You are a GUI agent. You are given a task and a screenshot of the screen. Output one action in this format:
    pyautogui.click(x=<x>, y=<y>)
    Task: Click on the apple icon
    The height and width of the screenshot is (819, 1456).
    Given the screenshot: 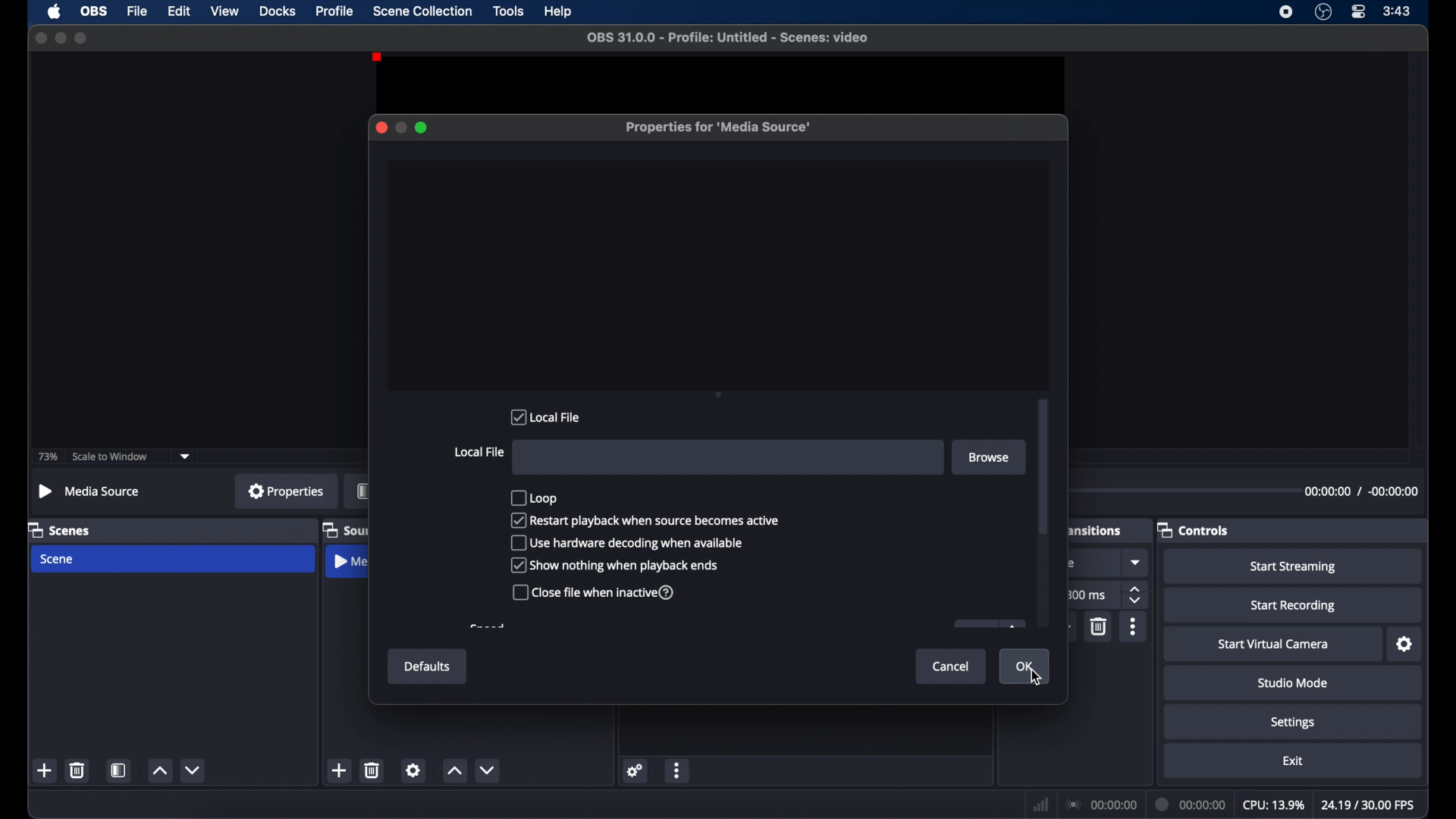 What is the action you would take?
    pyautogui.click(x=55, y=11)
    